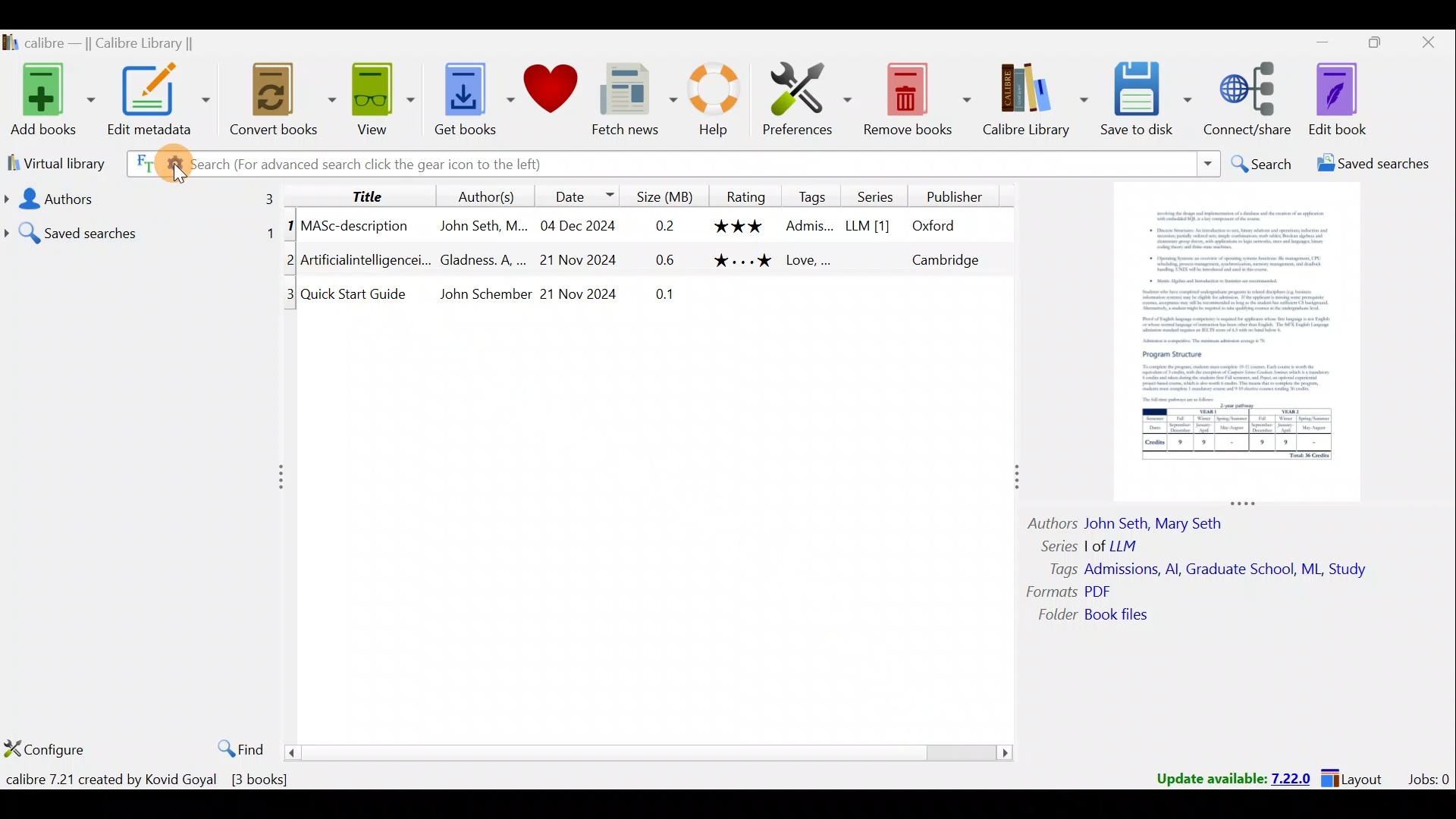 The height and width of the screenshot is (819, 1456). What do you see at coordinates (873, 195) in the screenshot?
I see `Series` at bounding box center [873, 195].